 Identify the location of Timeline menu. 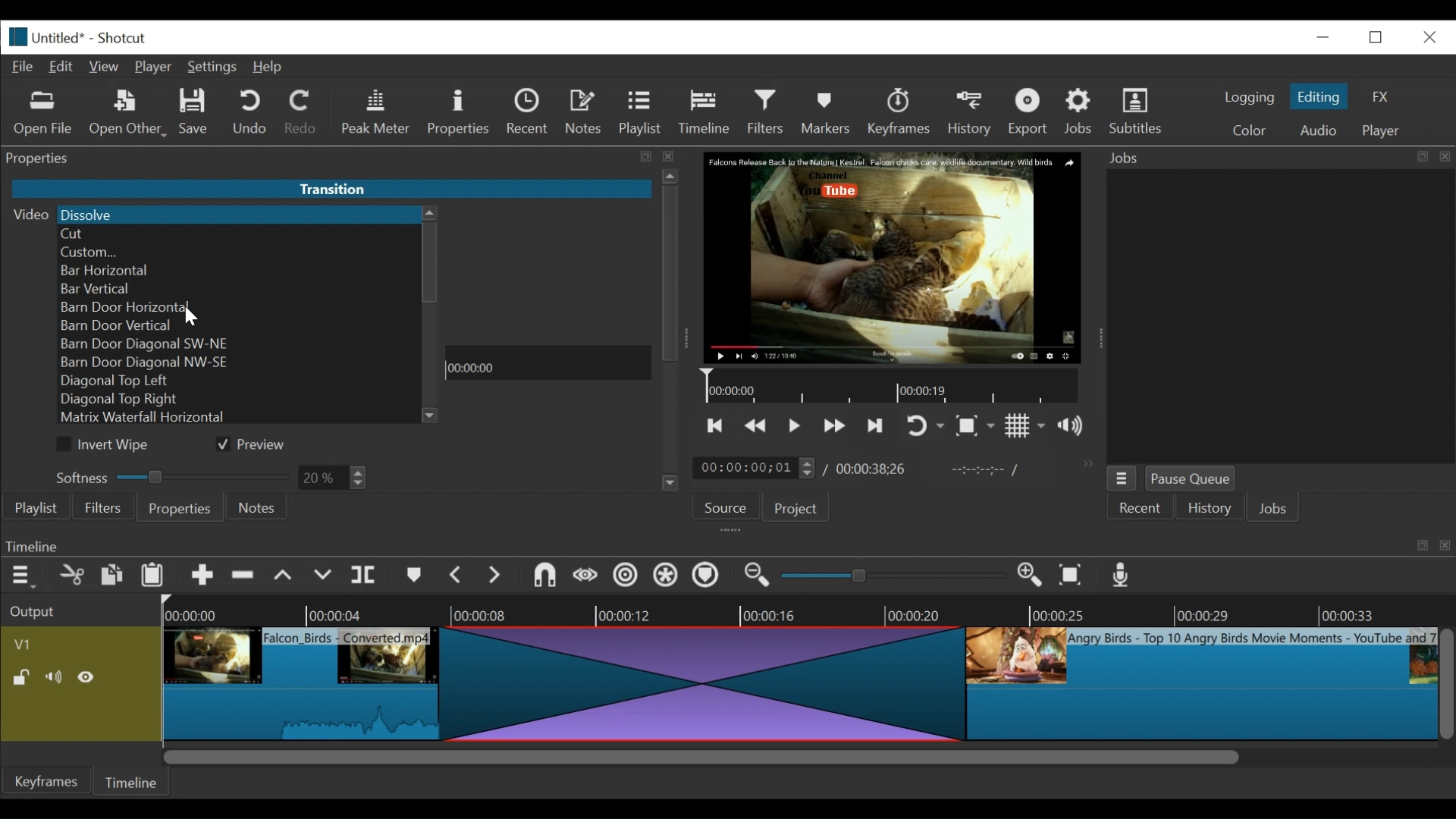
(25, 576).